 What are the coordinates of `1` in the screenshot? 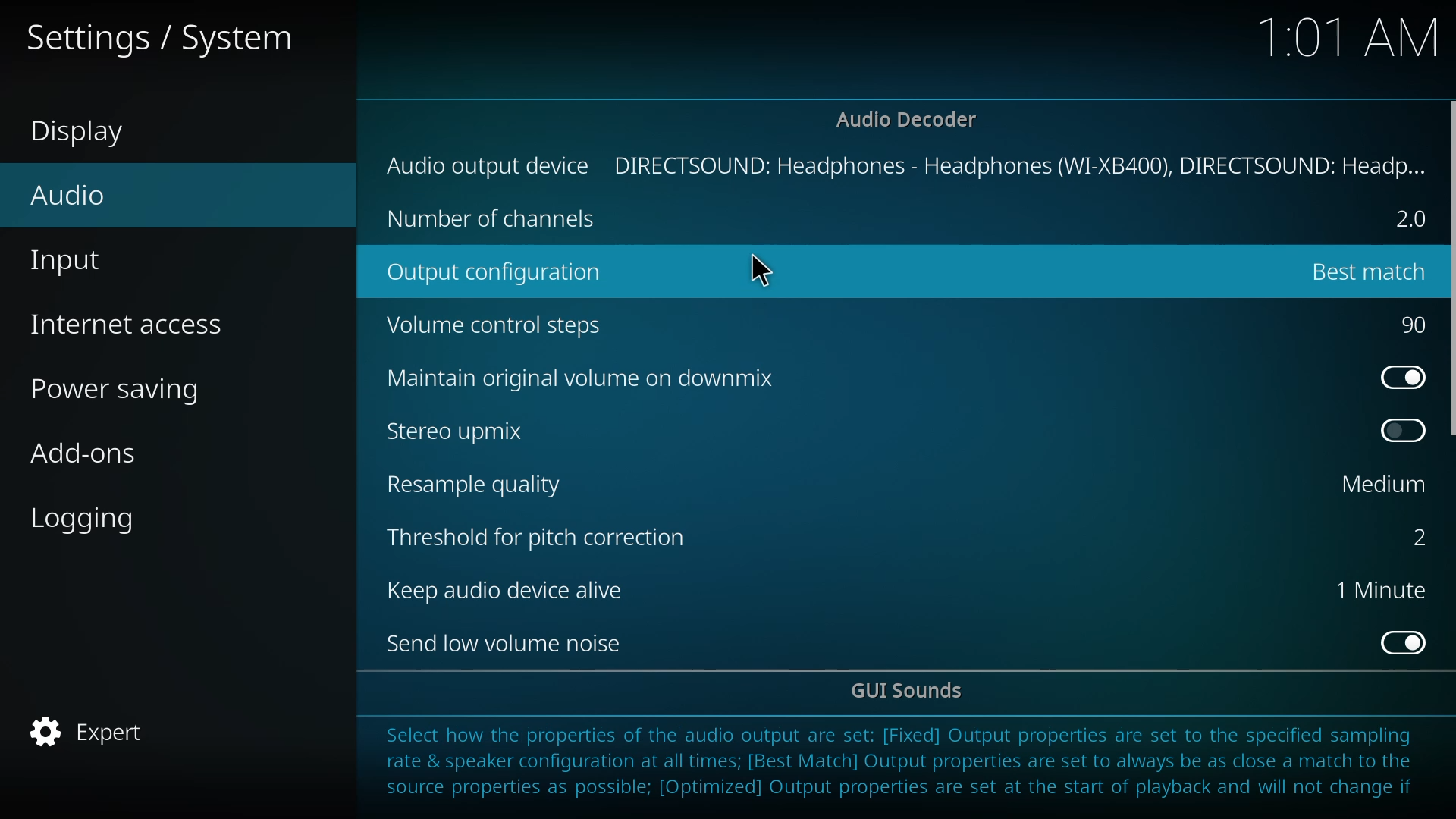 It's located at (1376, 589).